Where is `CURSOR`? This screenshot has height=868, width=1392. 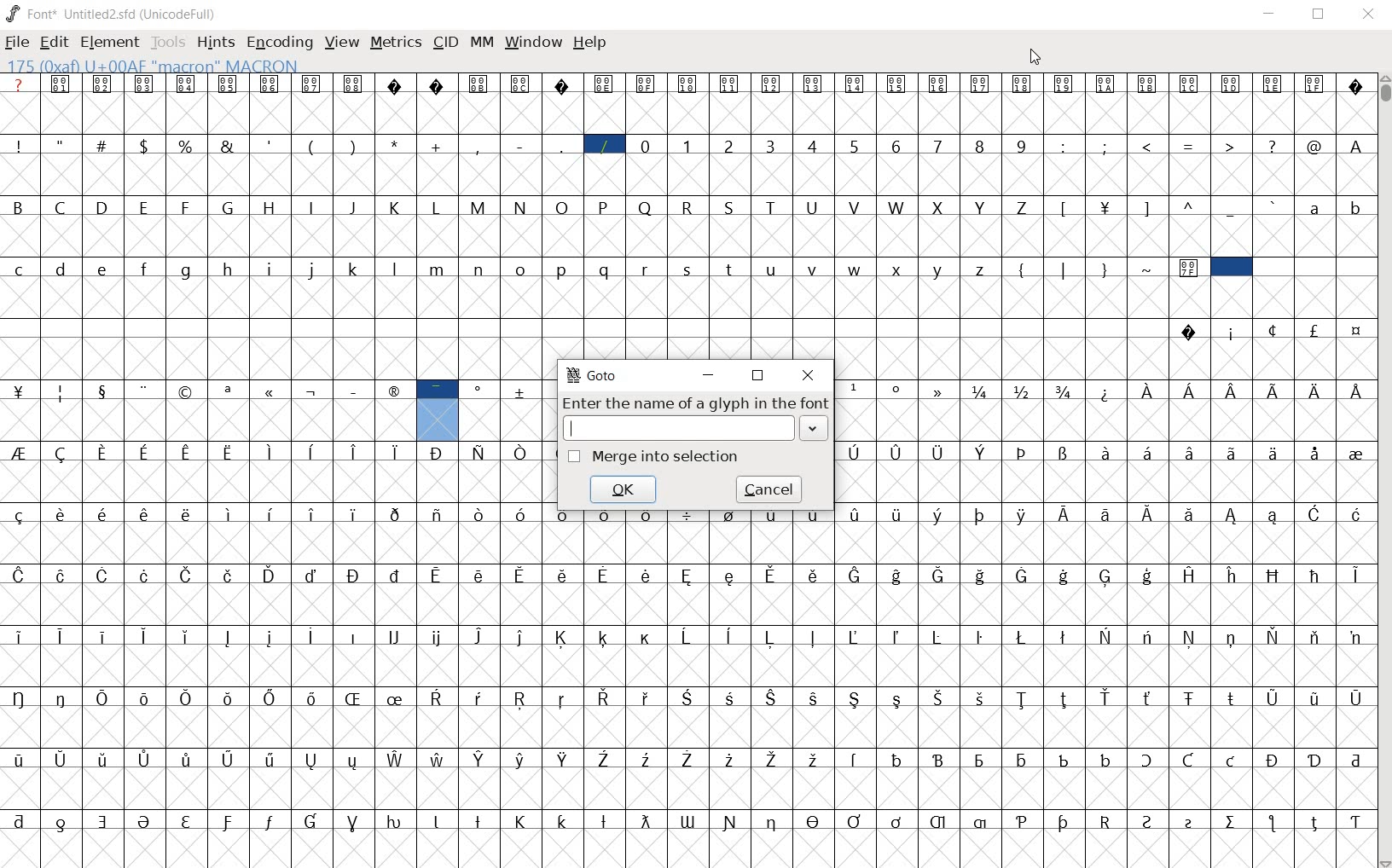 CURSOR is located at coordinates (1035, 55).